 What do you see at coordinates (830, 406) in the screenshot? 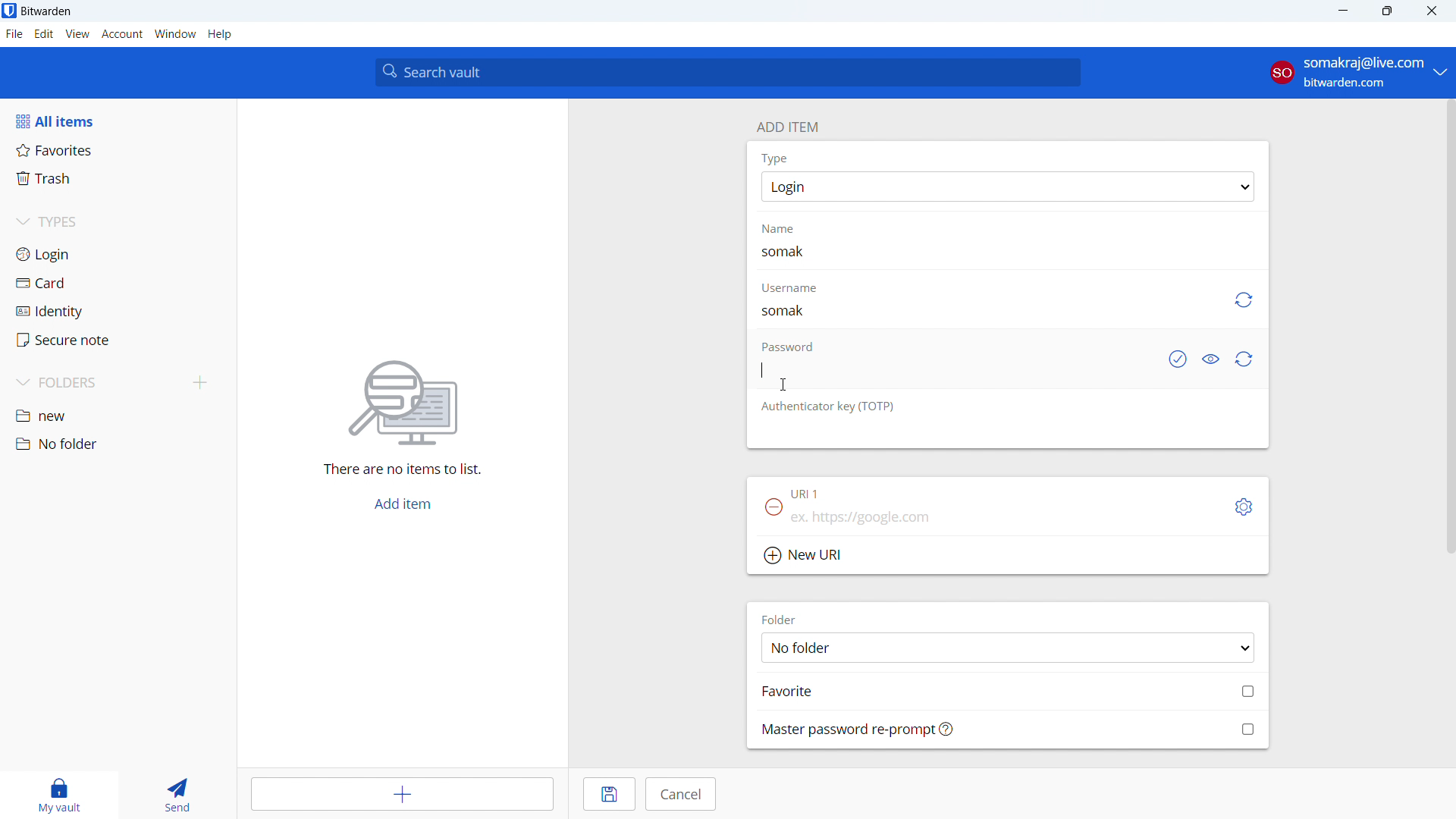
I see `otp` at bounding box center [830, 406].